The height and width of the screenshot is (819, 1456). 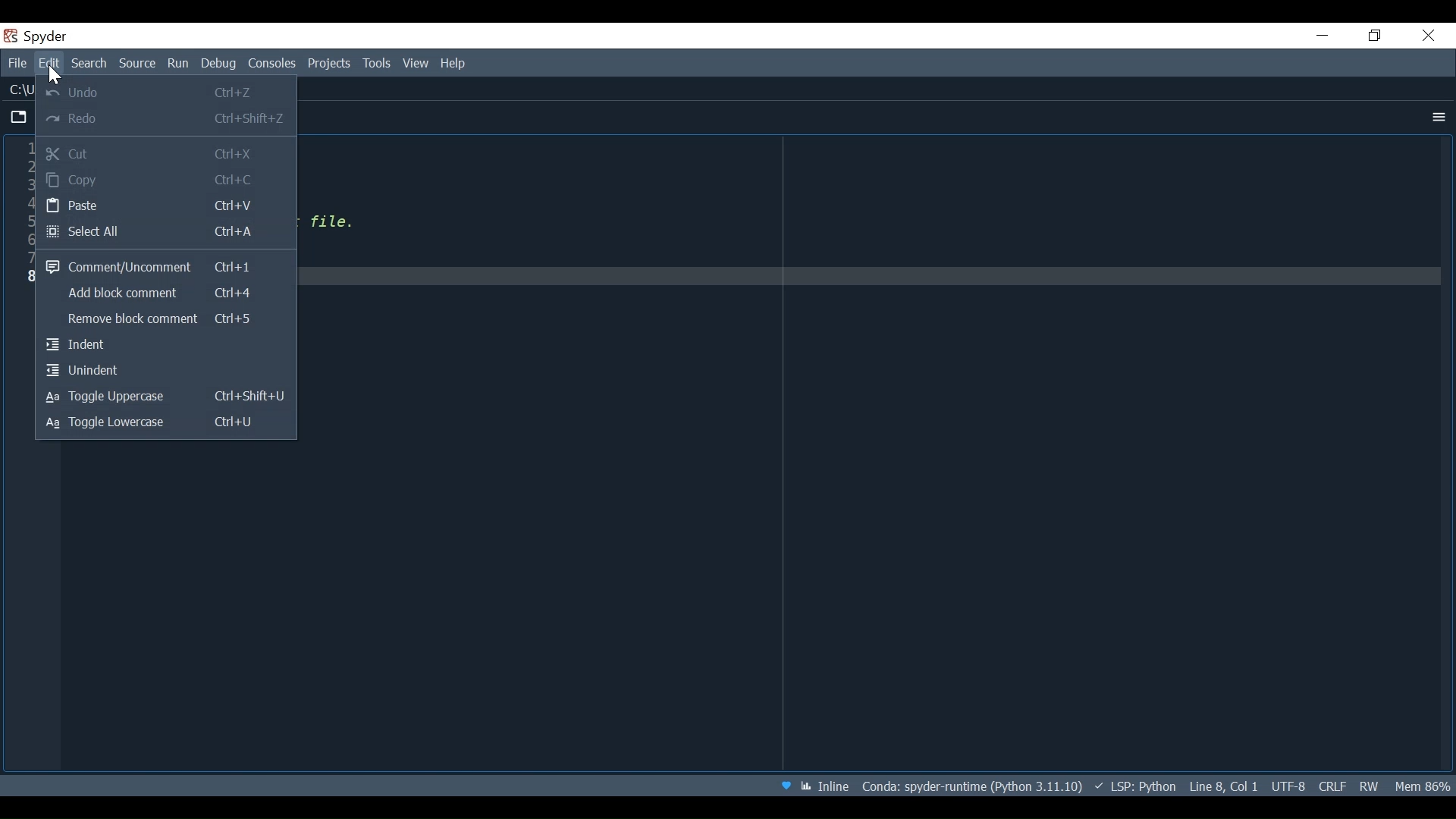 What do you see at coordinates (106, 207) in the screenshot?
I see `Paste` at bounding box center [106, 207].